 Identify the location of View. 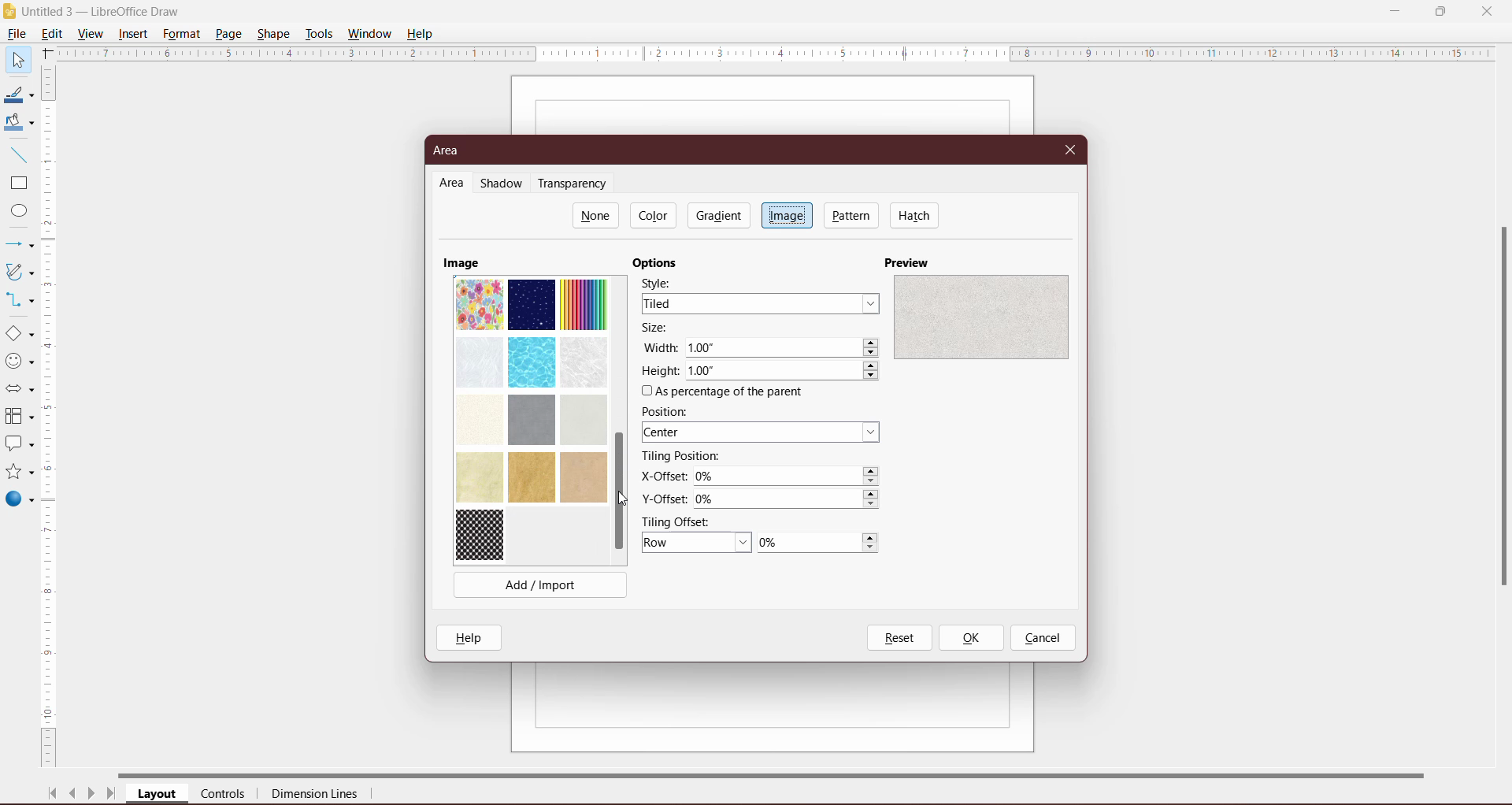
(91, 33).